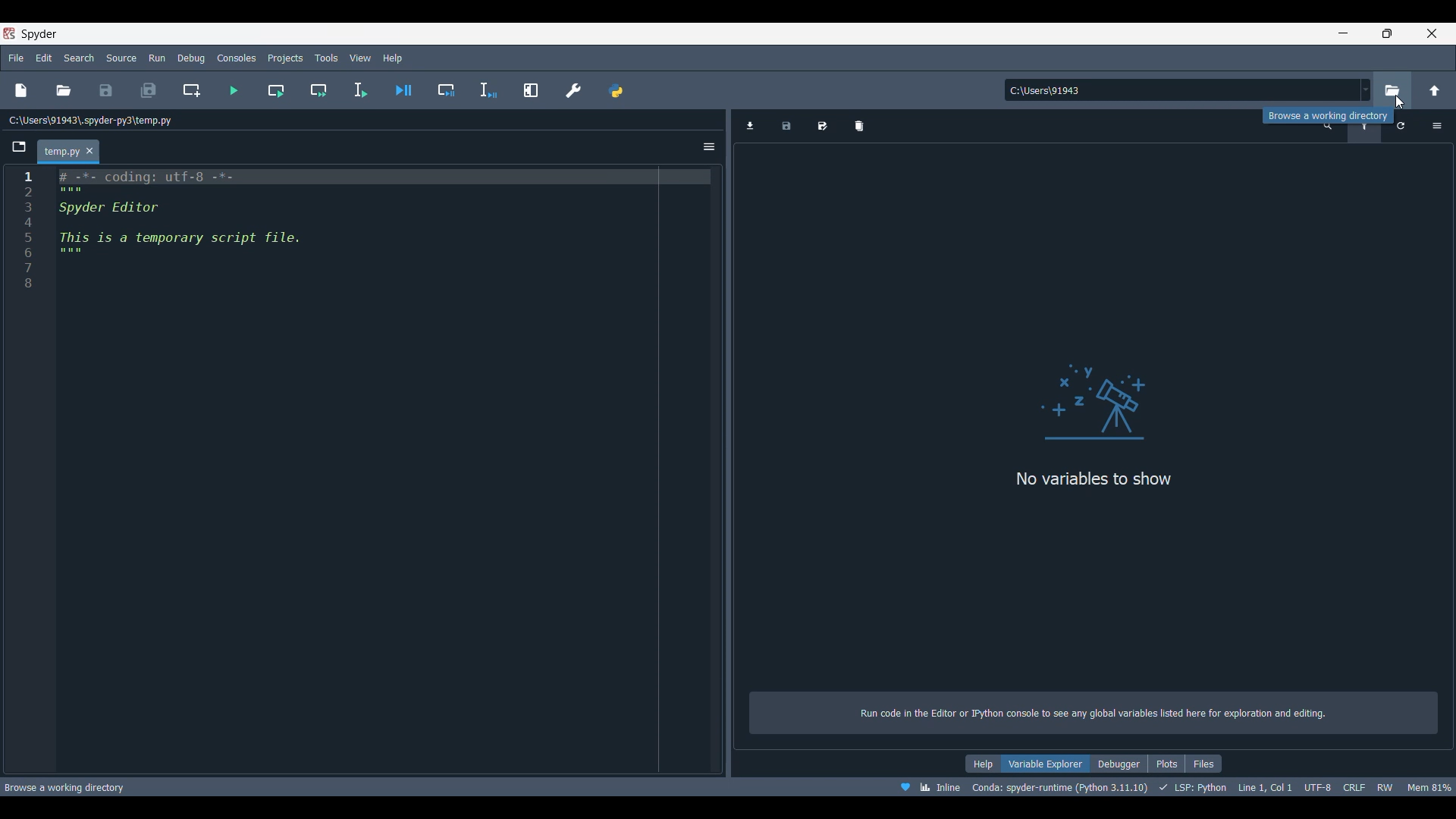  Describe the element at coordinates (1402, 126) in the screenshot. I see `Refresh variables` at that location.